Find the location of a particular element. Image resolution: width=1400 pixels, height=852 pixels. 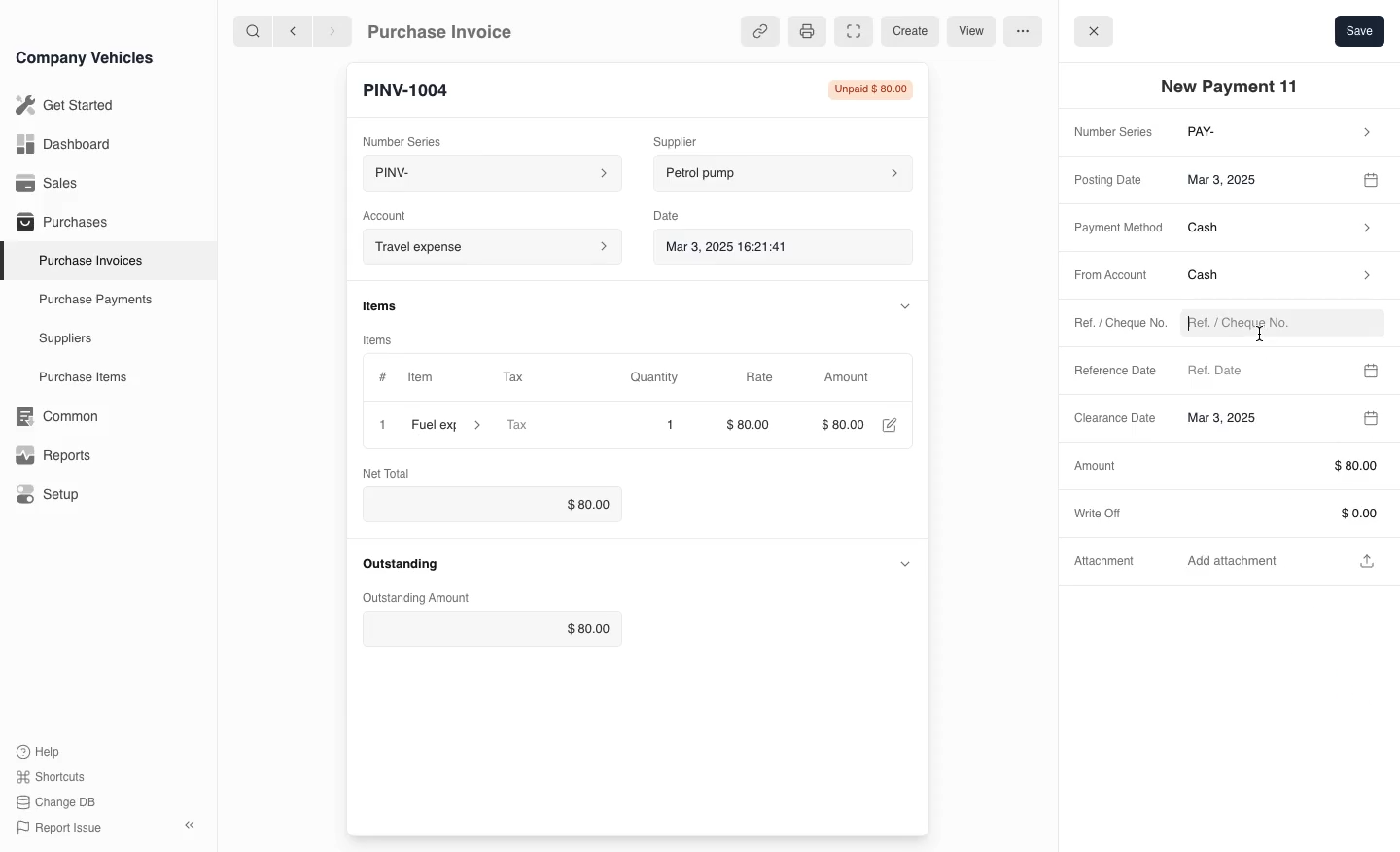

ref/cheque No. is located at coordinates (1277, 325).